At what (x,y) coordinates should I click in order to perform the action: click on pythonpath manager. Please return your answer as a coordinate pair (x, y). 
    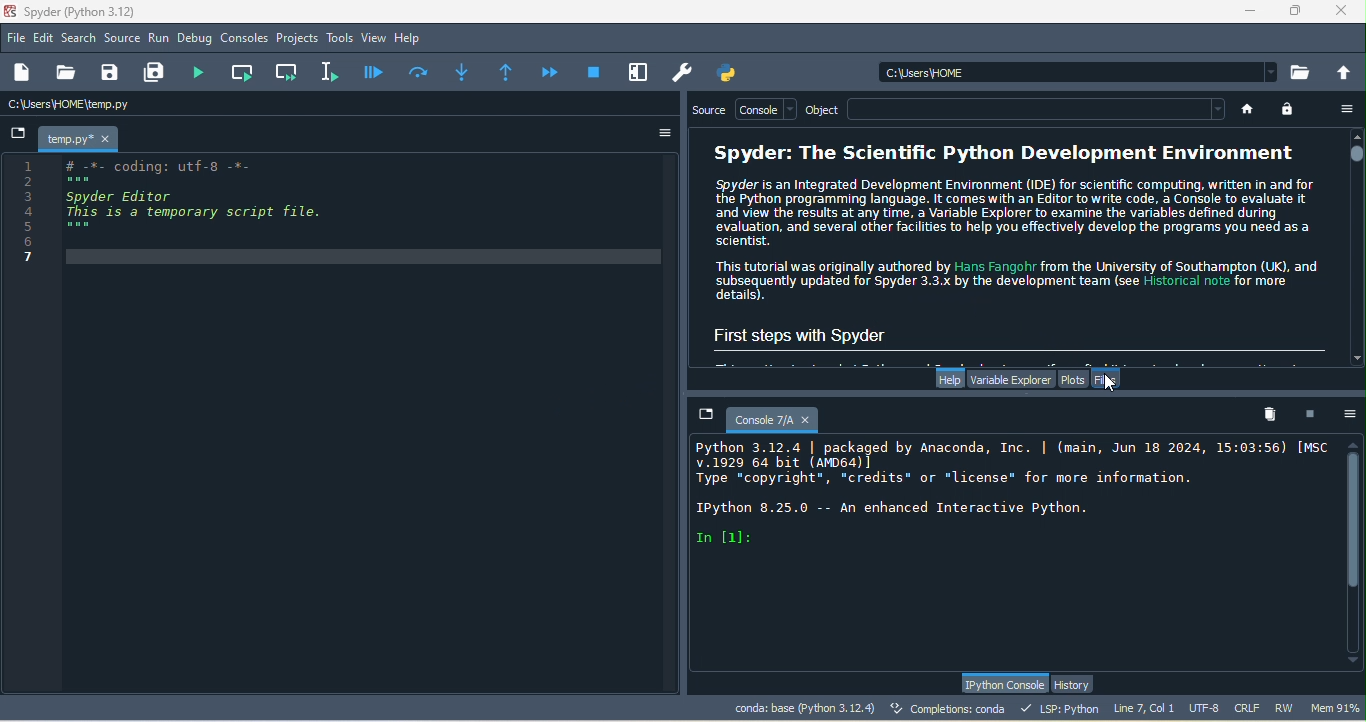
    Looking at the image, I should click on (732, 73).